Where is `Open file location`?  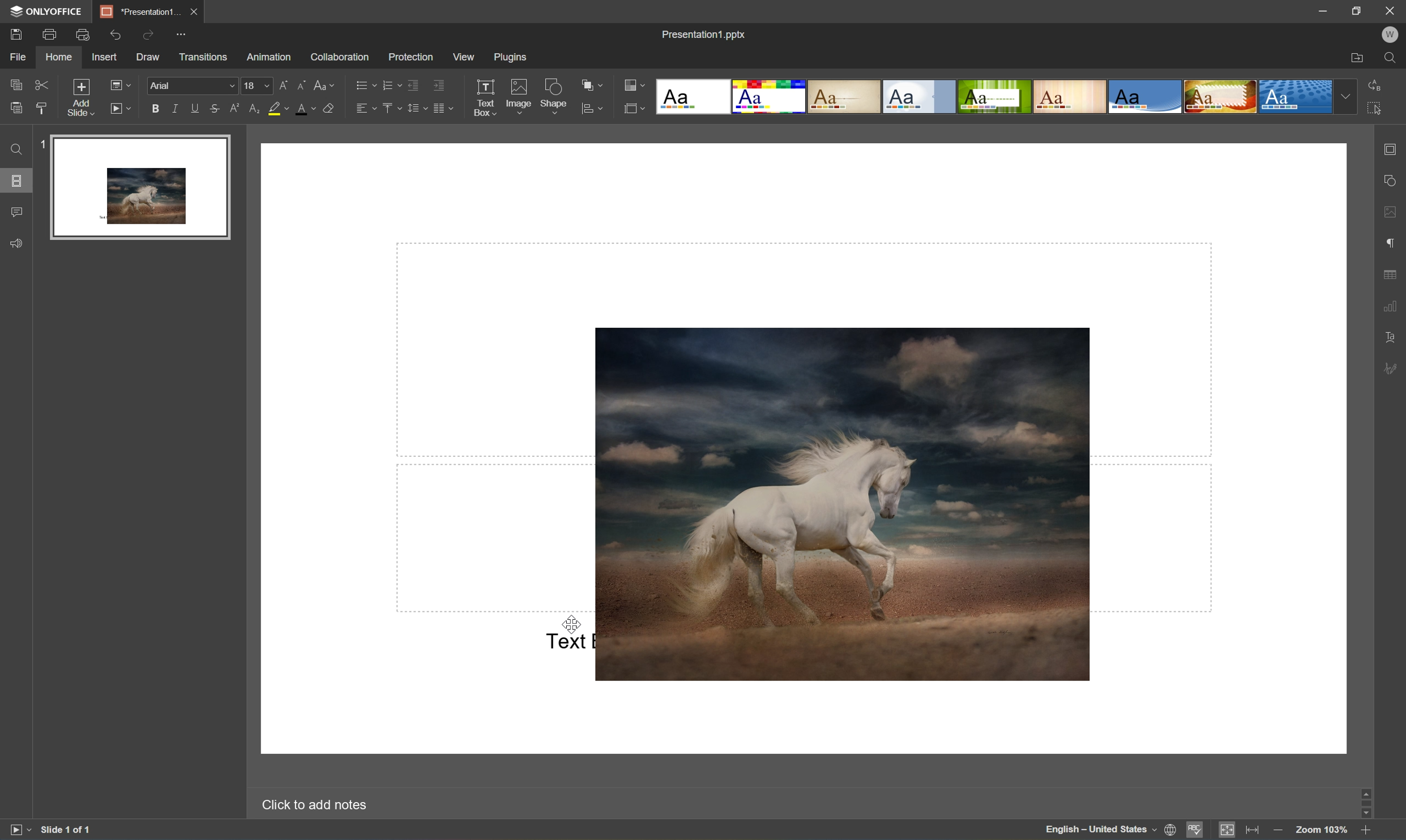 Open file location is located at coordinates (1357, 56).